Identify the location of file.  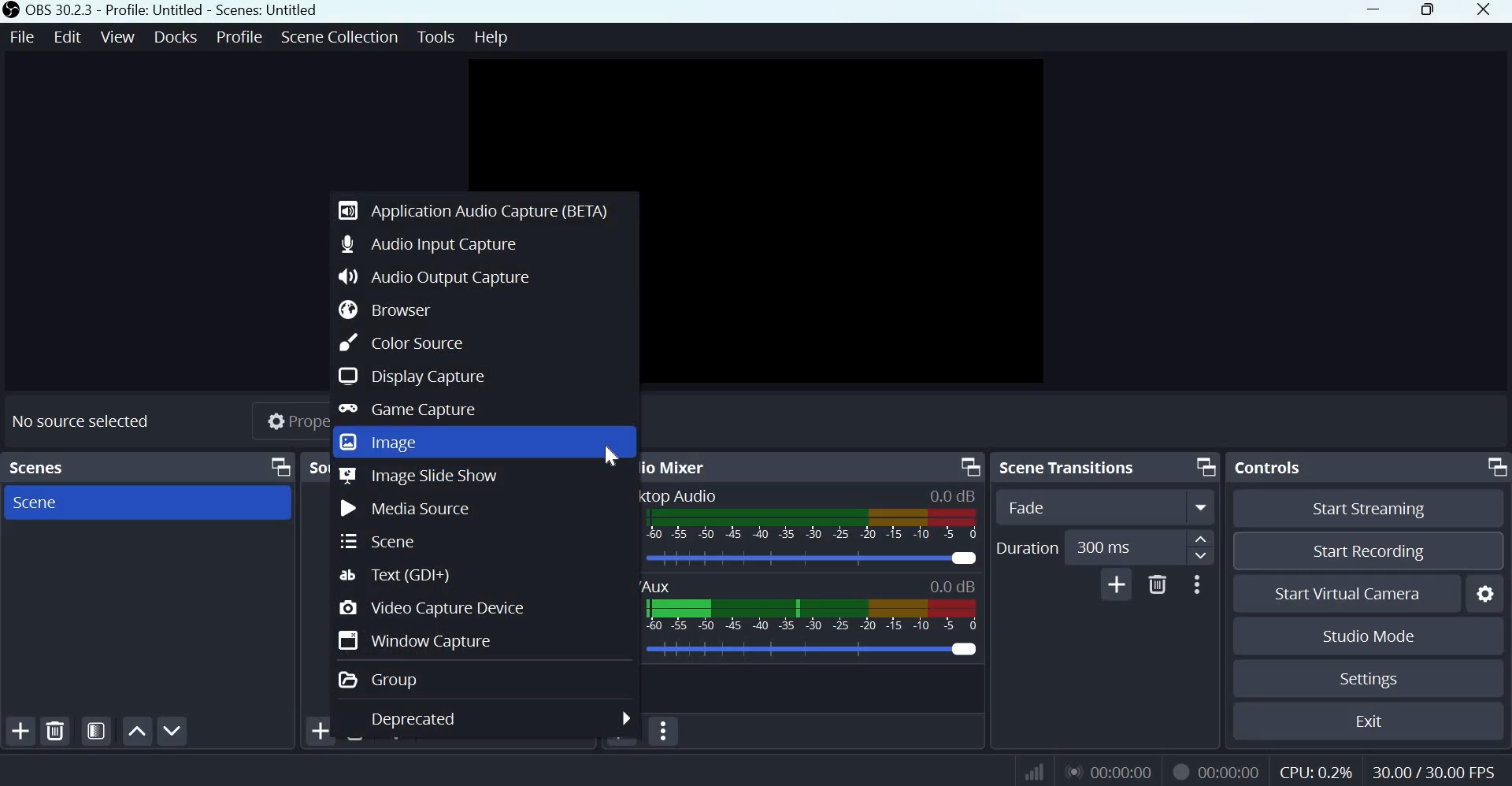
(23, 36).